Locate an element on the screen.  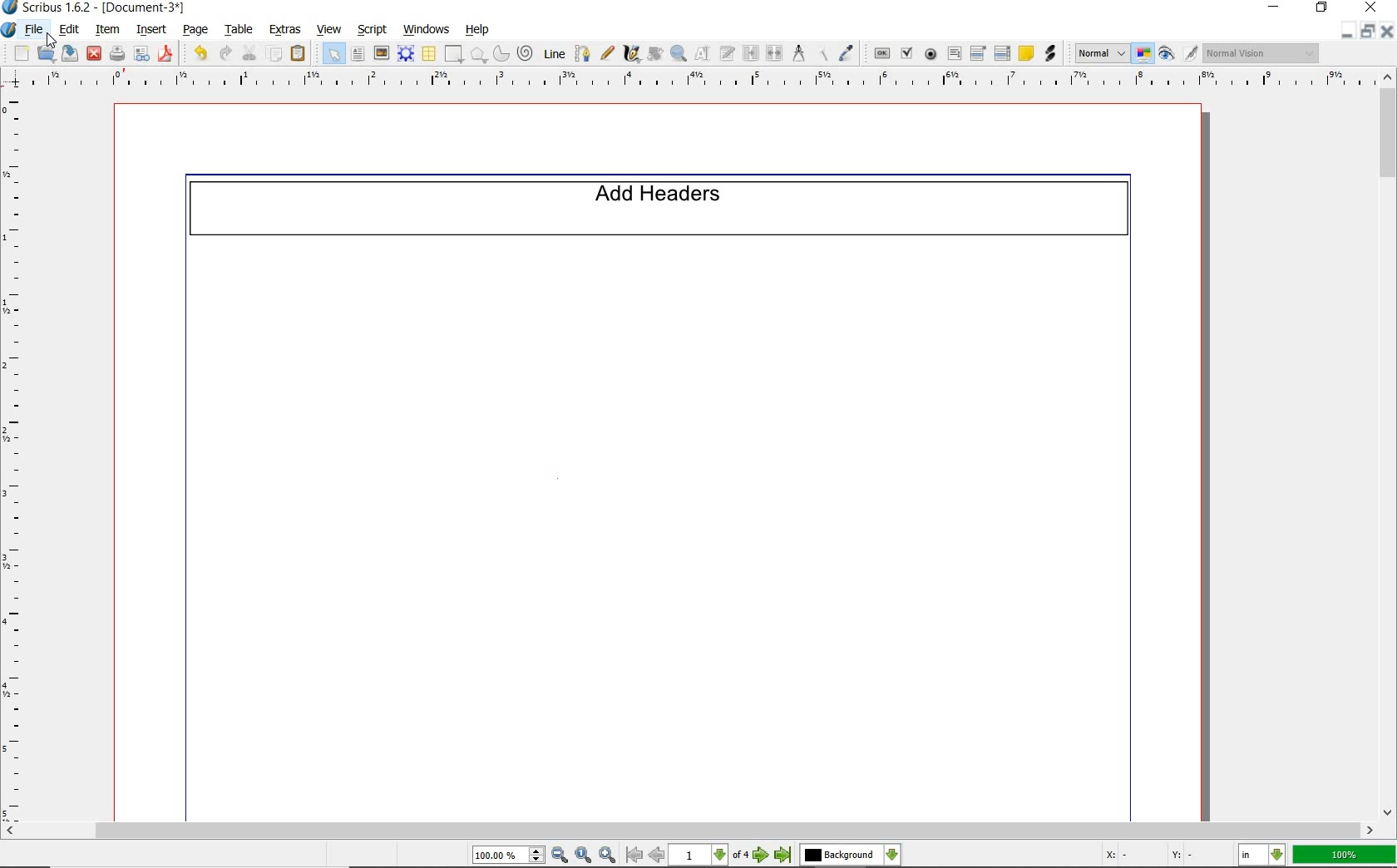
file is located at coordinates (37, 30).